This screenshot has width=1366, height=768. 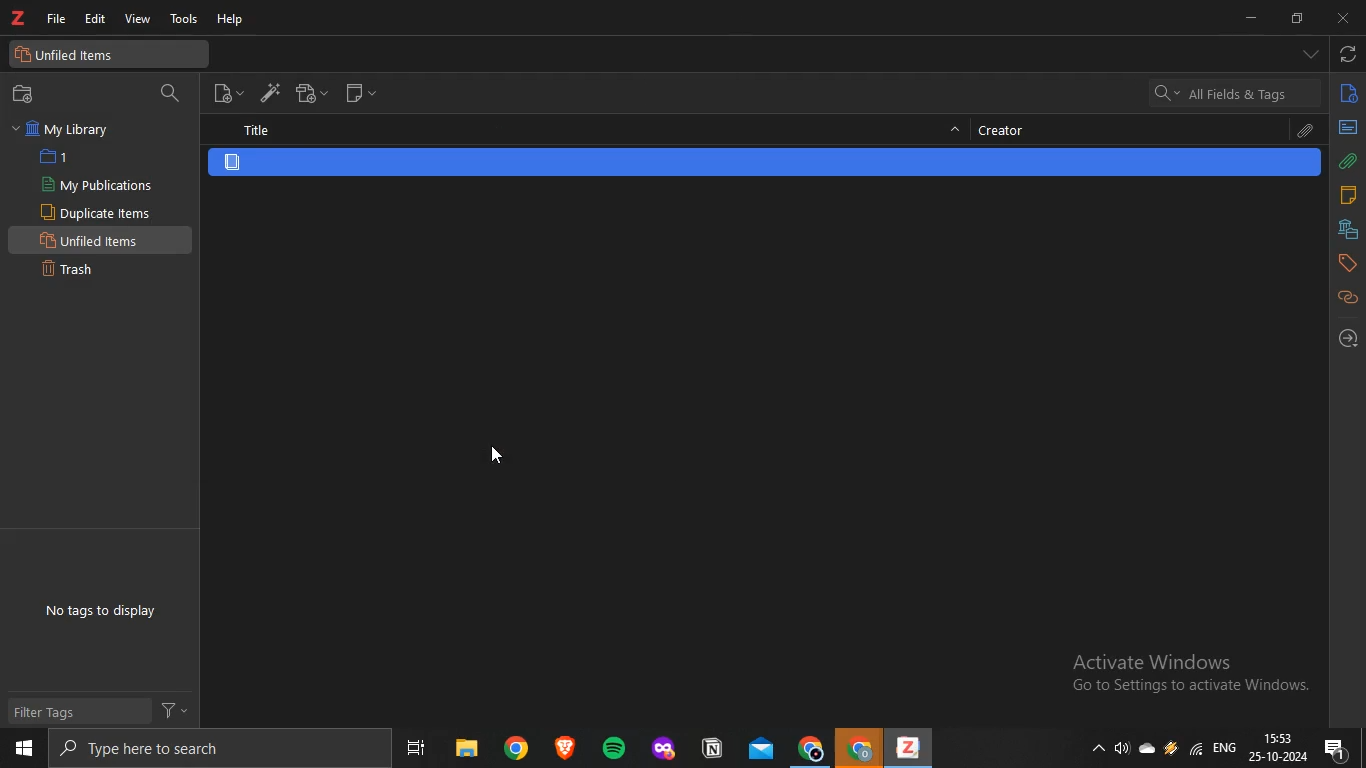 What do you see at coordinates (1348, 262) in the screenshot?
I see `tags` at bounding box center [1348, 262].